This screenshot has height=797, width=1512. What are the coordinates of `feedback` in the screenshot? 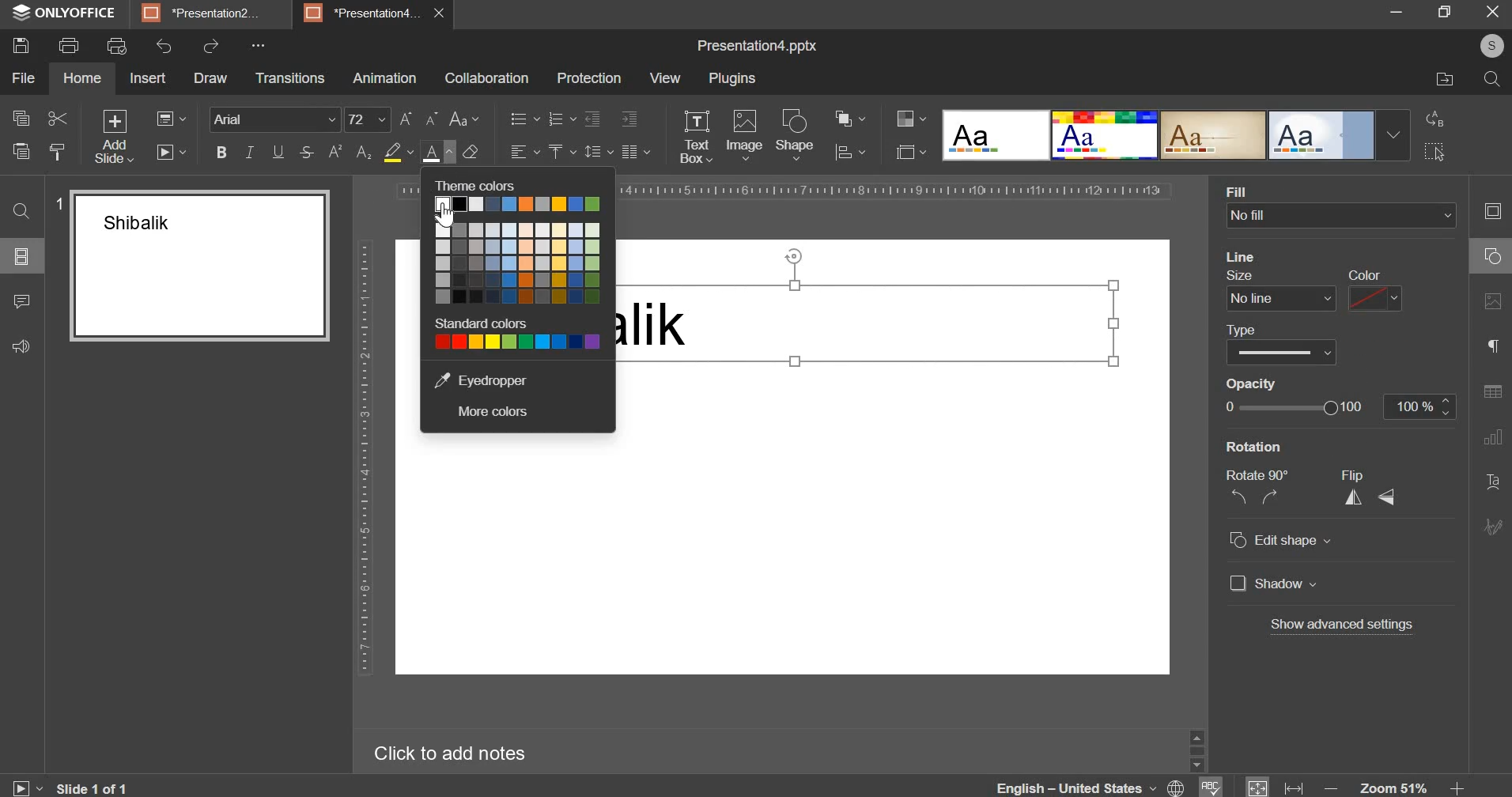 It's located at (23, 345).